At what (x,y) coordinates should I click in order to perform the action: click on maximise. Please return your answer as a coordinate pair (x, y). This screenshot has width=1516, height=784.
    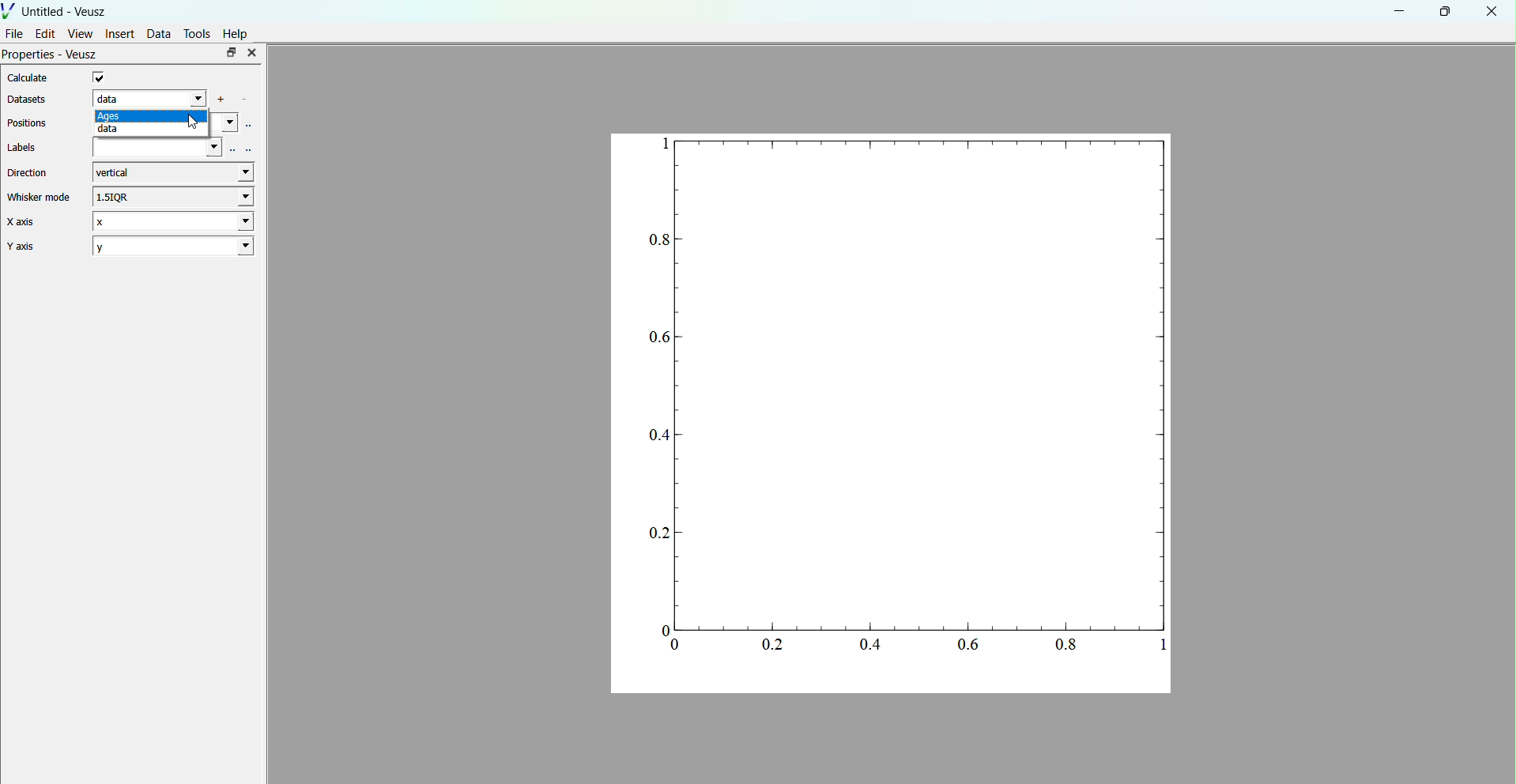
    Looking at the image, I should click on (1442, 11).